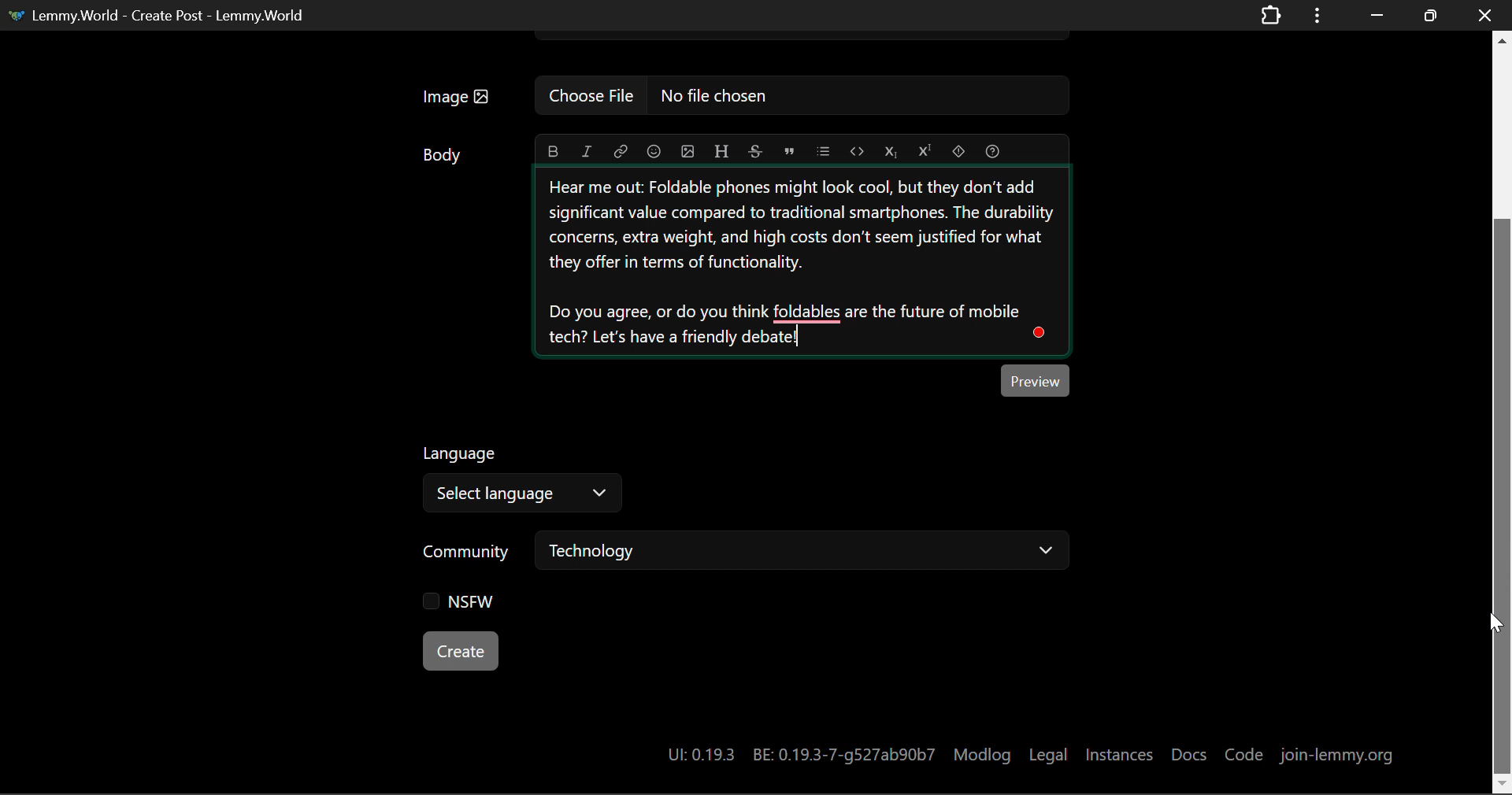 The height and width of the screenshot is (795, 1512). I want to click on System Details, so click(795, 754).